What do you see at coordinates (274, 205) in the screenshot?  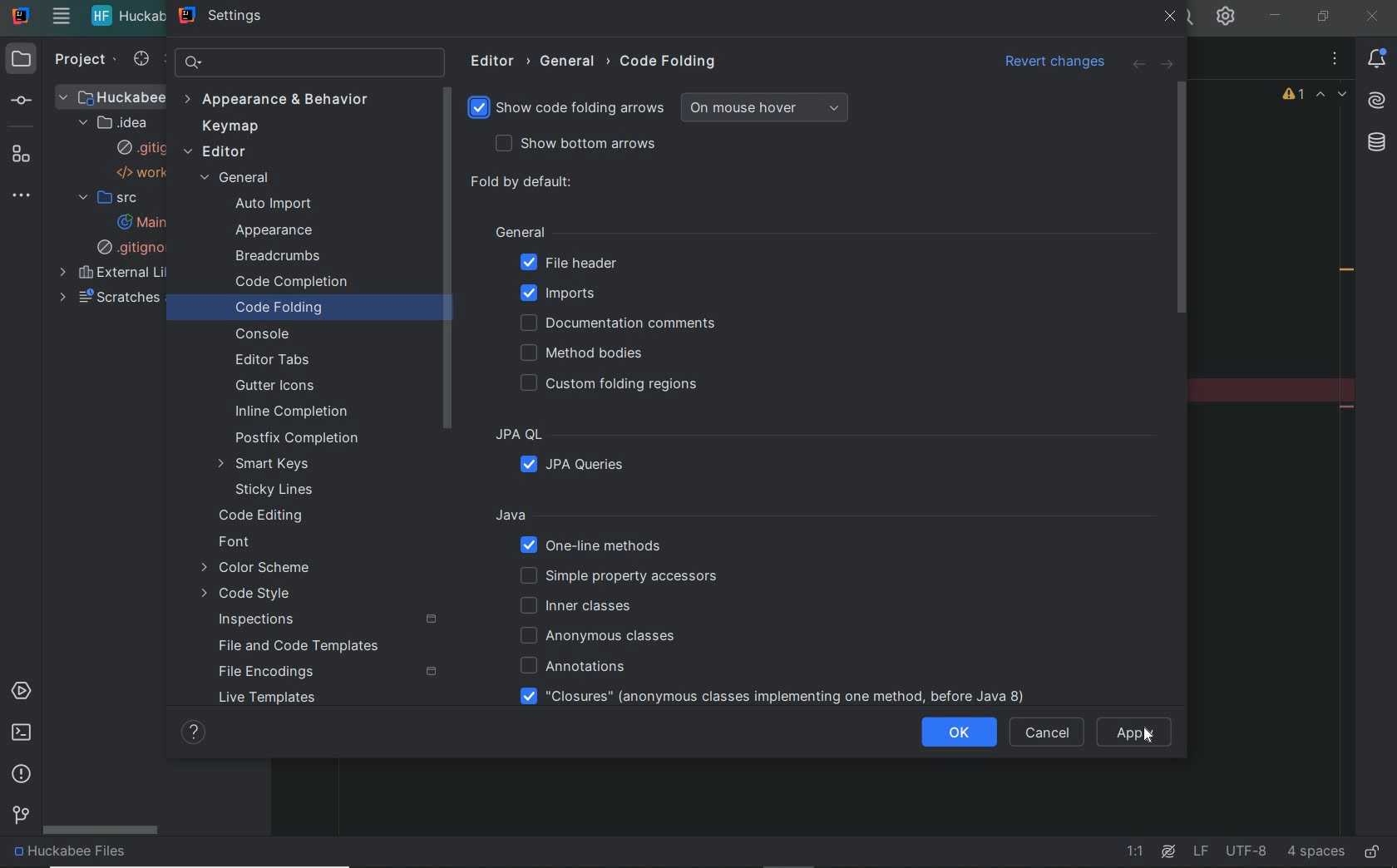 I see `auto import` at bounding box center [274, 205].